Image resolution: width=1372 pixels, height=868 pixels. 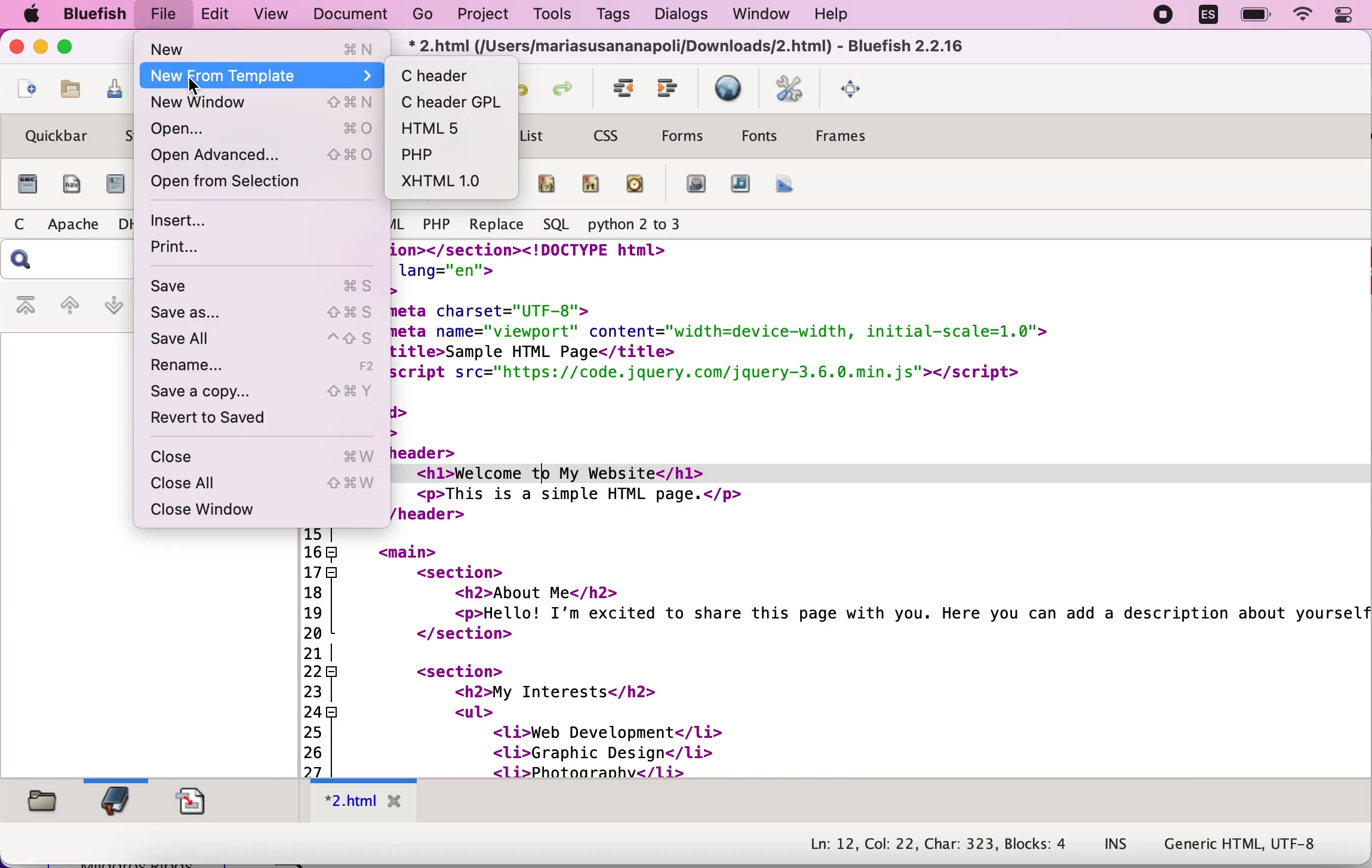 What do you see at coordinates (638, 224) in the screenshot?
I see `phyton 2 to 3` at bounding box center [638, 224].